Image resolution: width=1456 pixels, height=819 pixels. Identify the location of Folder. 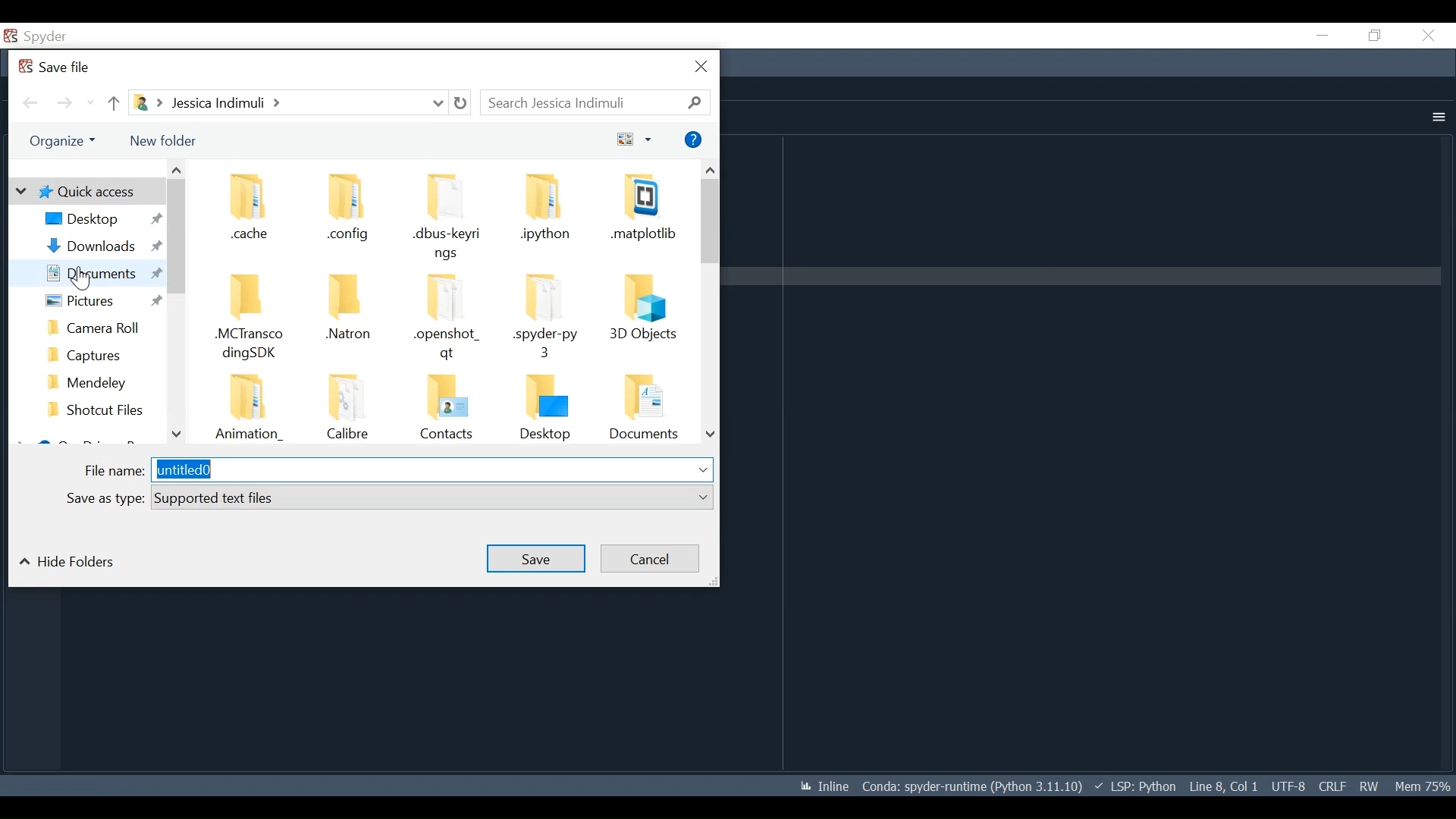
(96, 353).